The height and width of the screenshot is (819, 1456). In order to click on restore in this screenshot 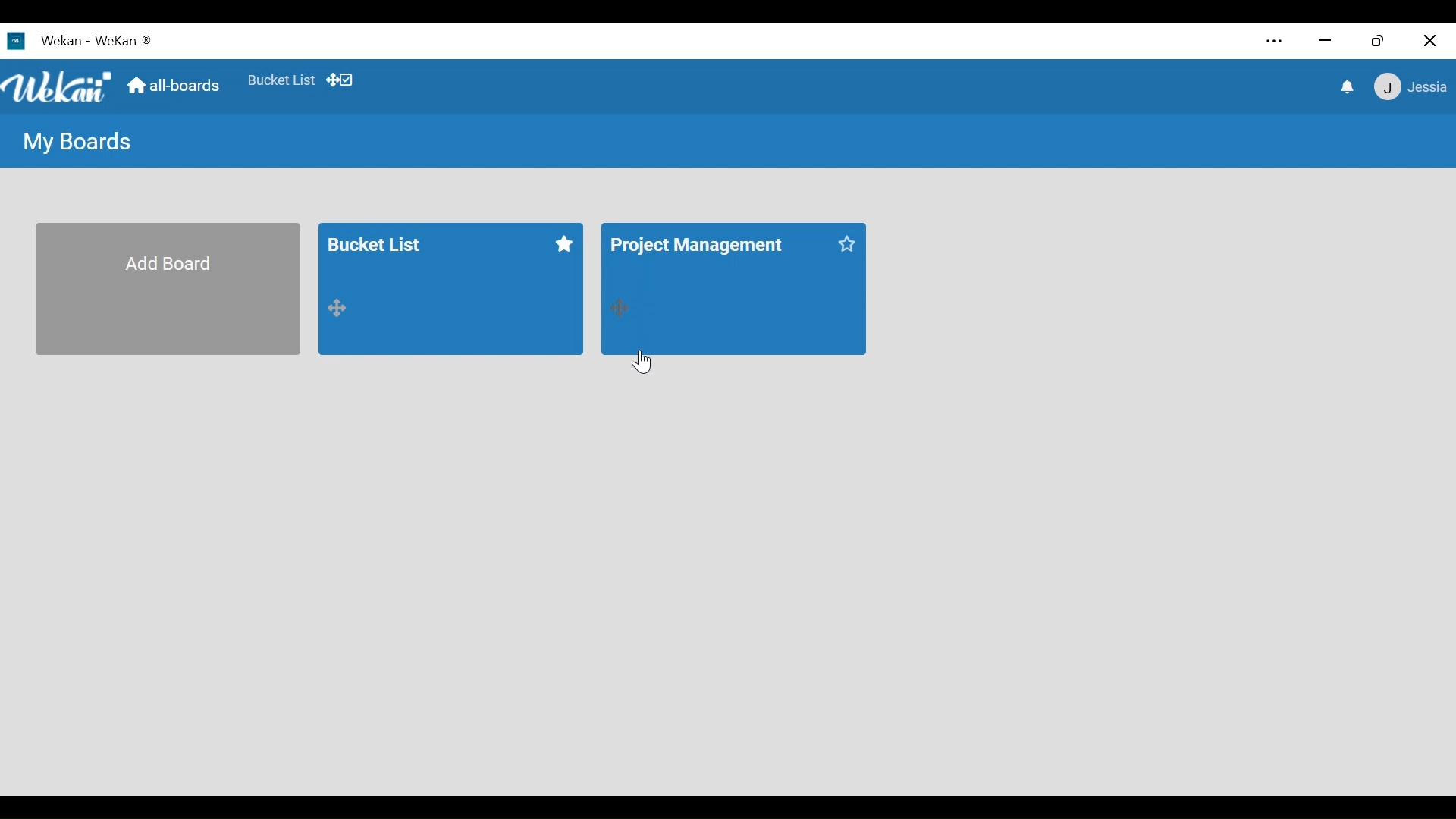, I will do `click(1377, 41)`.